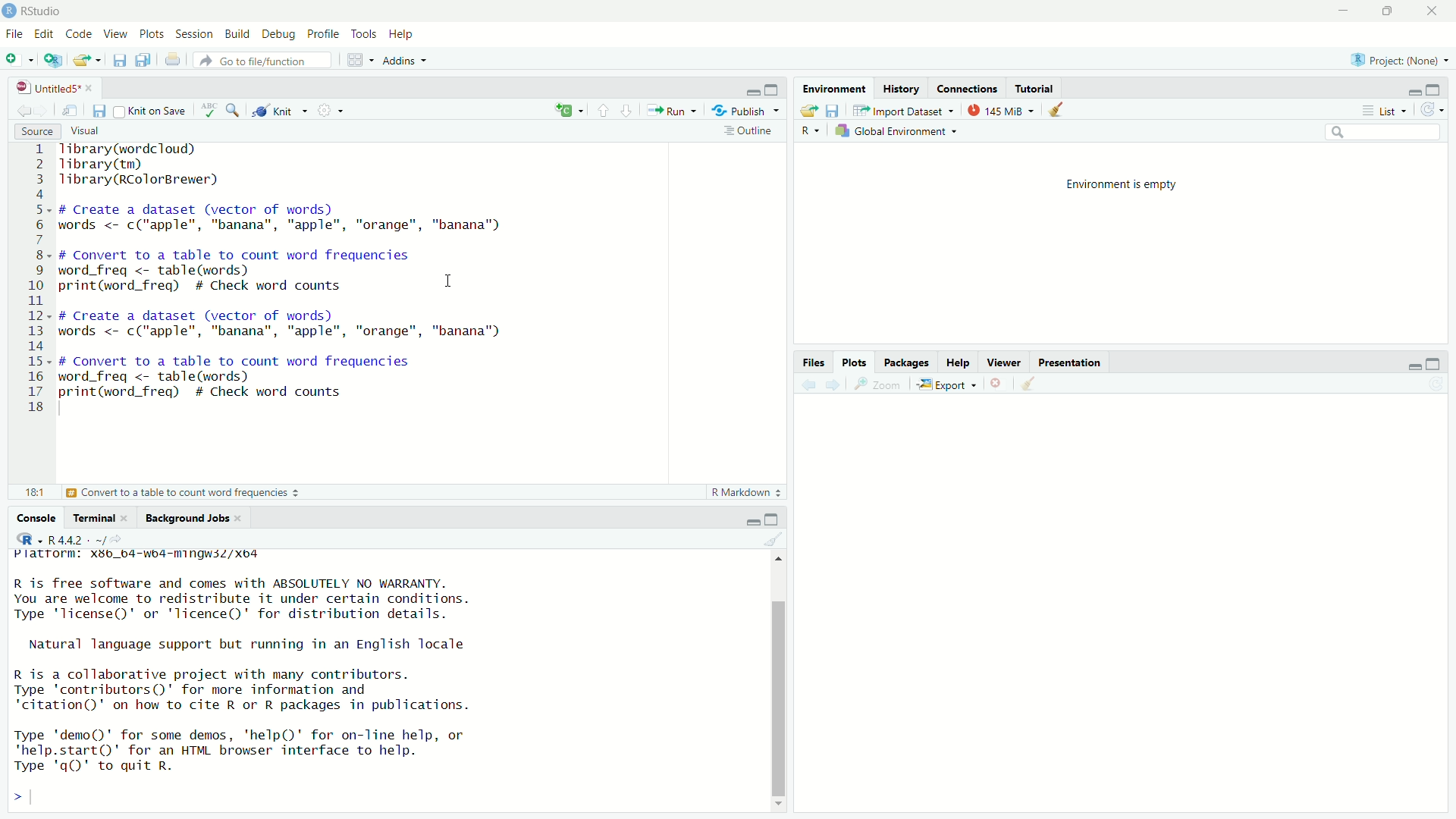 This screenshot has width=1456, height=819. I want to click on Go to the next section/chunk, so click(629, 111).